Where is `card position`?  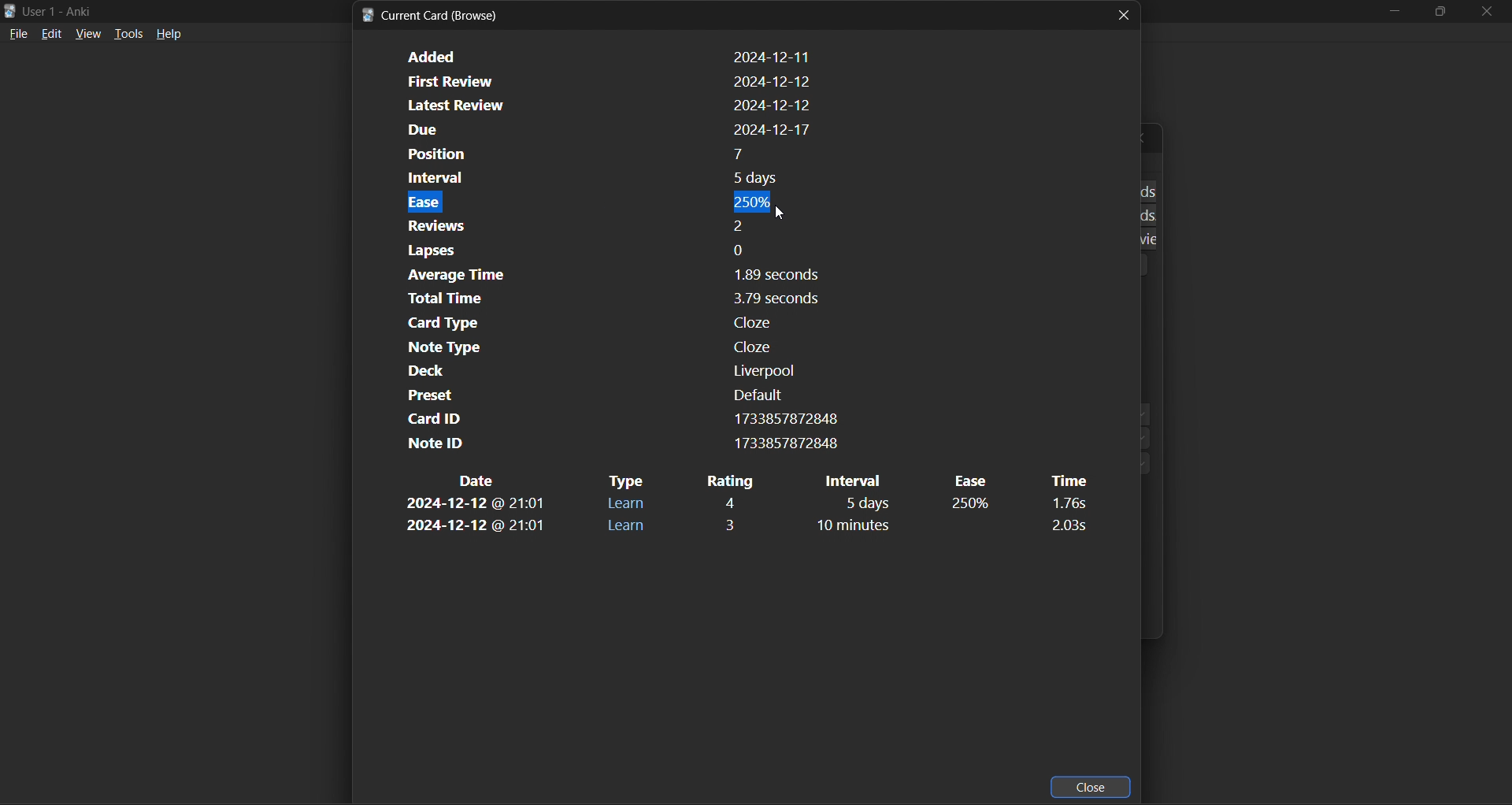
card position is located at coordinates (609, 154).